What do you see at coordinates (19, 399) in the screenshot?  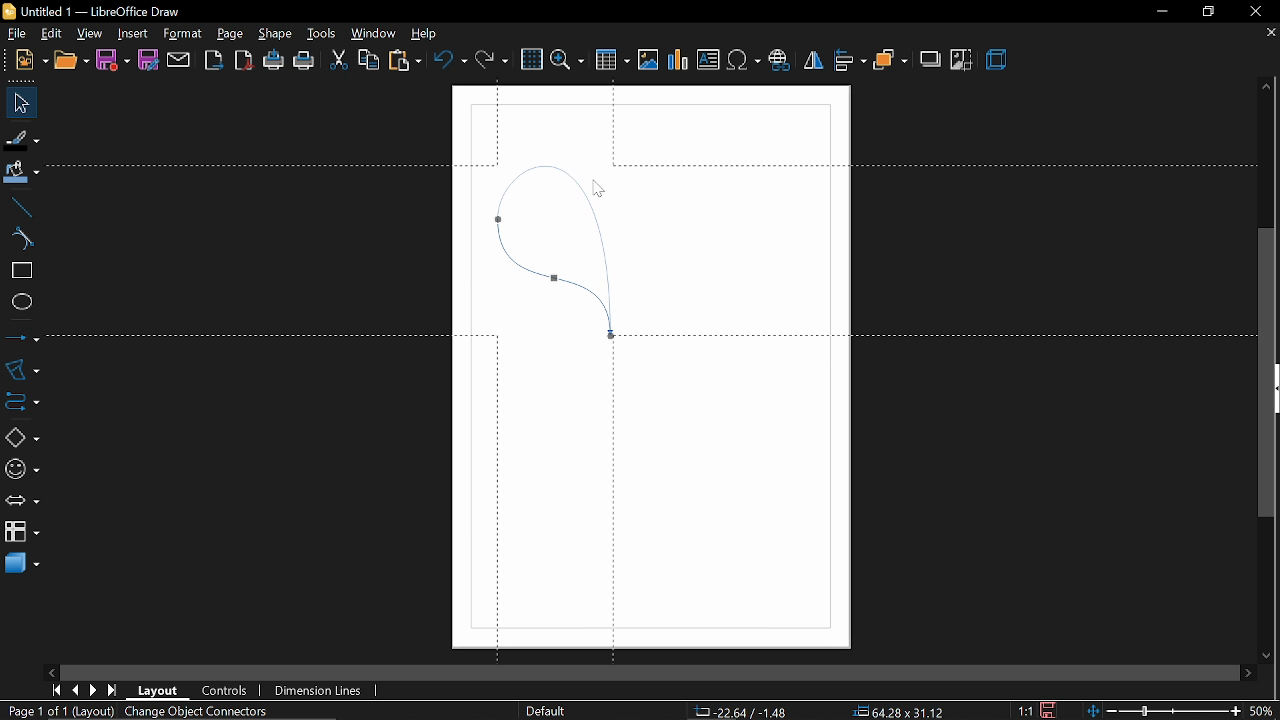 I see `connector` at bounding box center [19, 399].